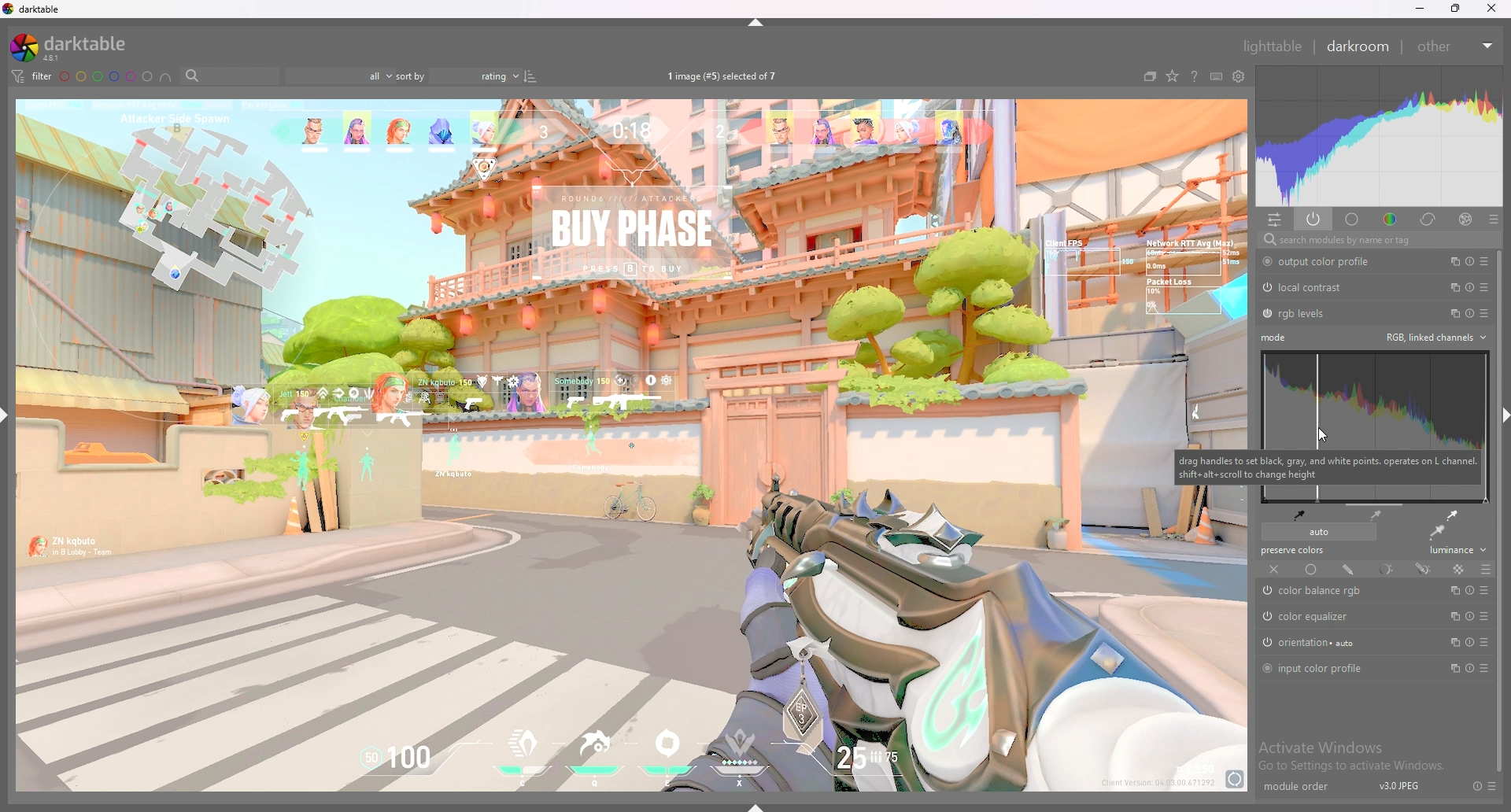 The height and width of the screenshot is (812, 1511). I want to click on white points, so click(1450, 515).